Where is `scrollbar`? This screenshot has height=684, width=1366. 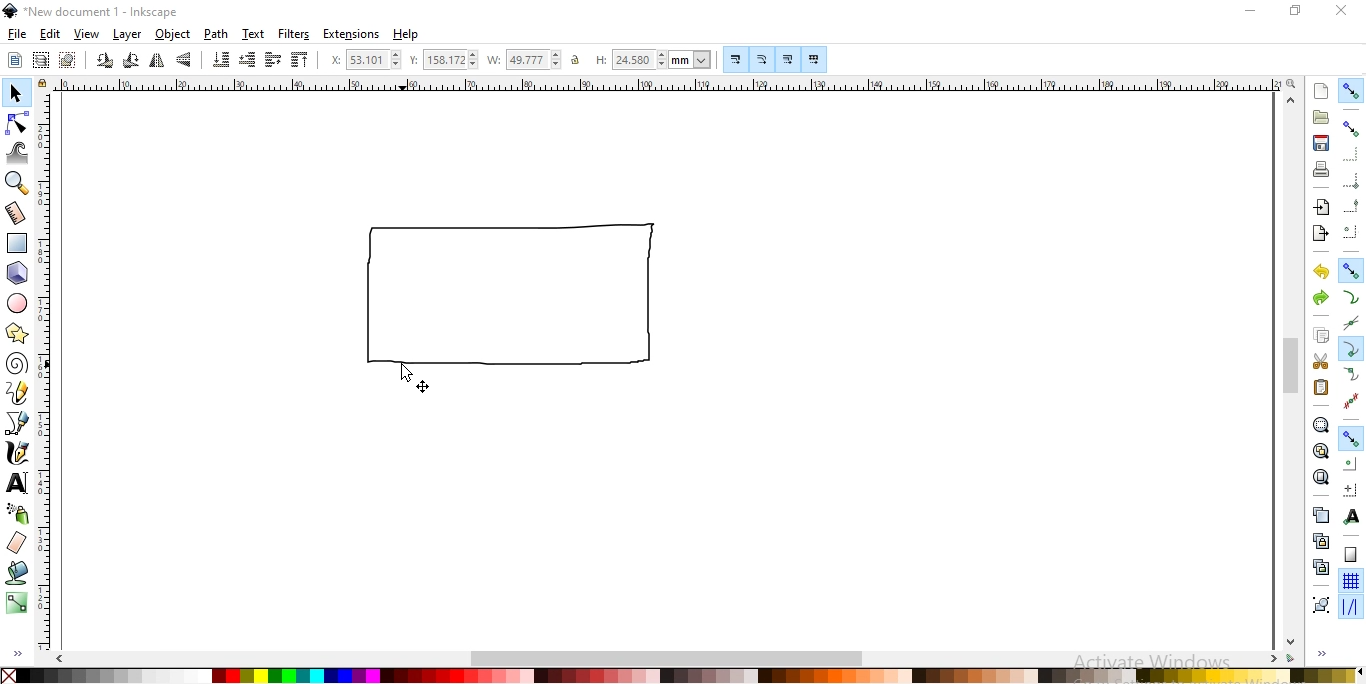 scrollbar is located at coordinates (1291, 367).